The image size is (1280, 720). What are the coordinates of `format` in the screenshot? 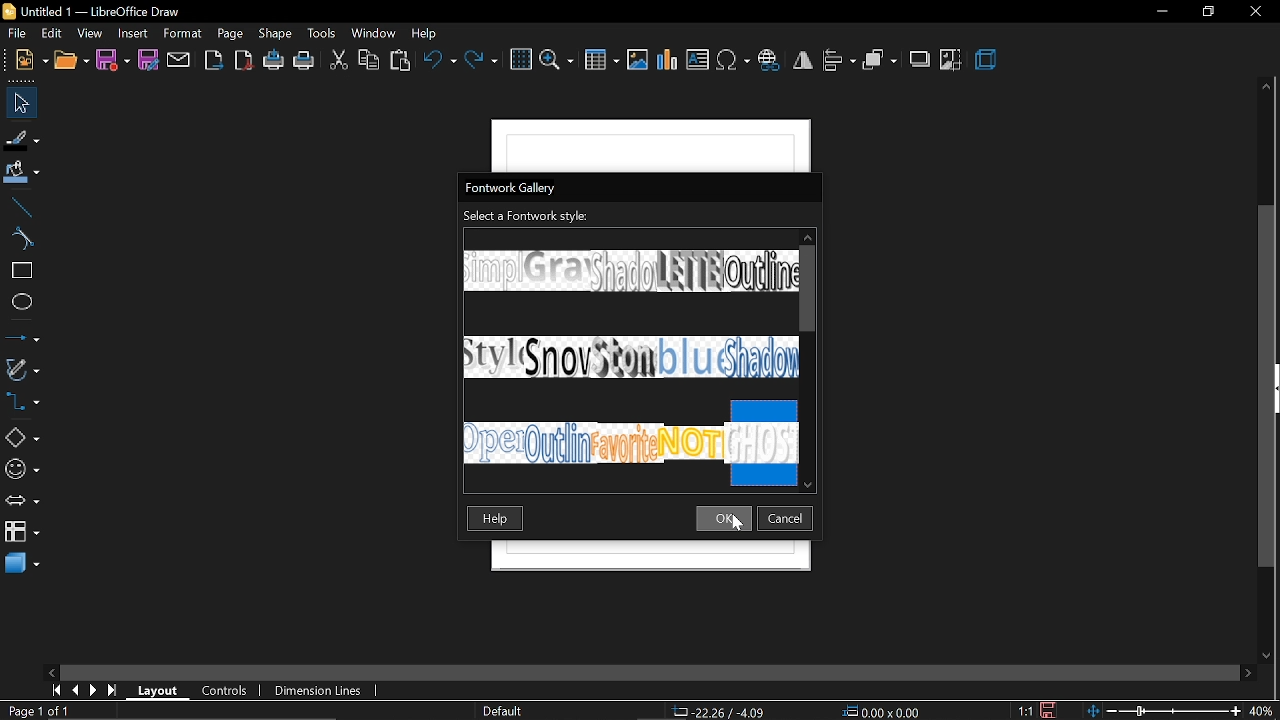 It's located at (183, 33).